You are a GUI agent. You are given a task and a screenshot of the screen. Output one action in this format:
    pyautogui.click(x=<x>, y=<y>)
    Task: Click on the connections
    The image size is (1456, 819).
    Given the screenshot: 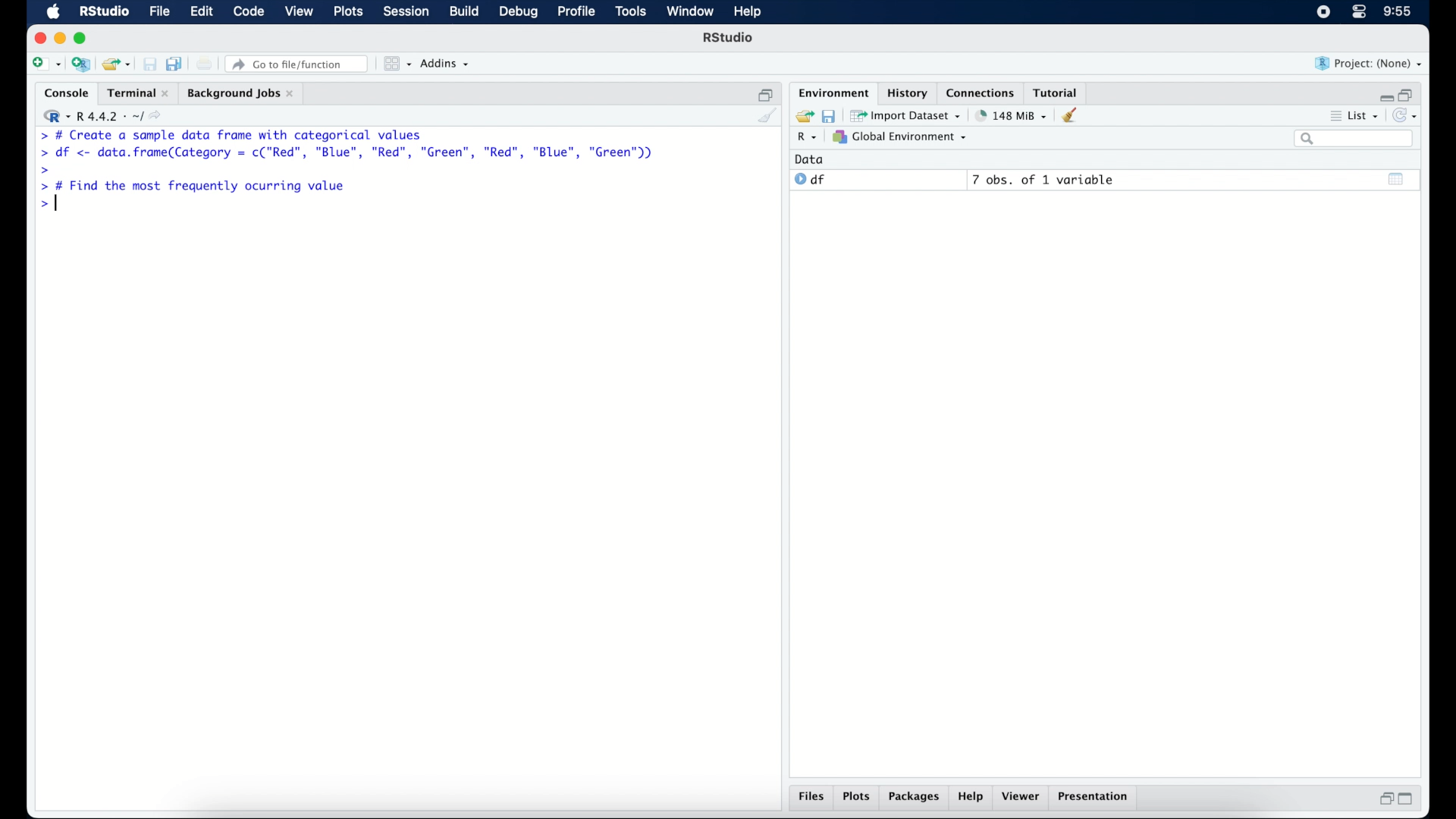 What is the action you would take?
    pyautogui.click(x=982, y=92)
    